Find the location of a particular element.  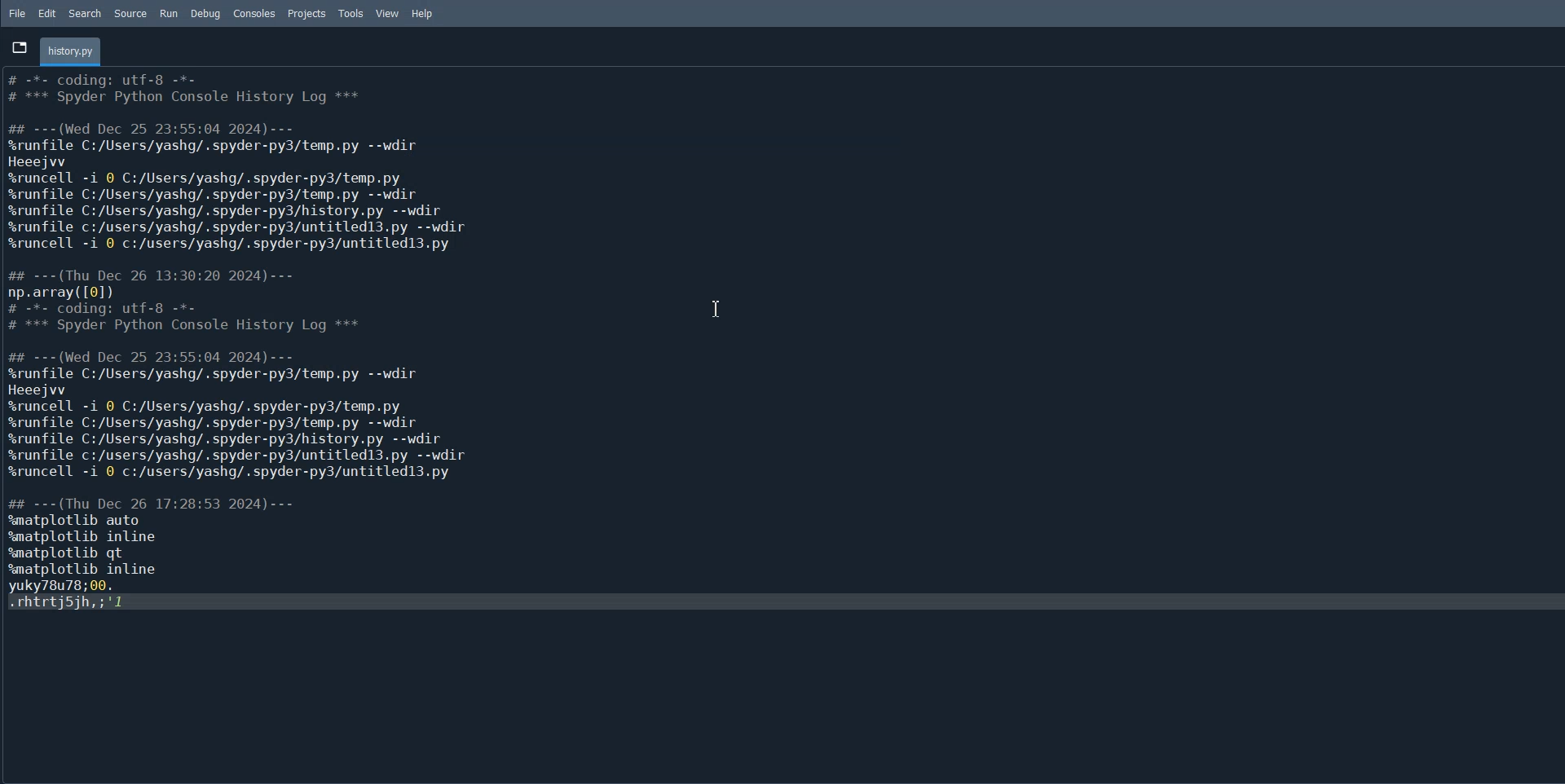

View is located at coordinates (388, 13).